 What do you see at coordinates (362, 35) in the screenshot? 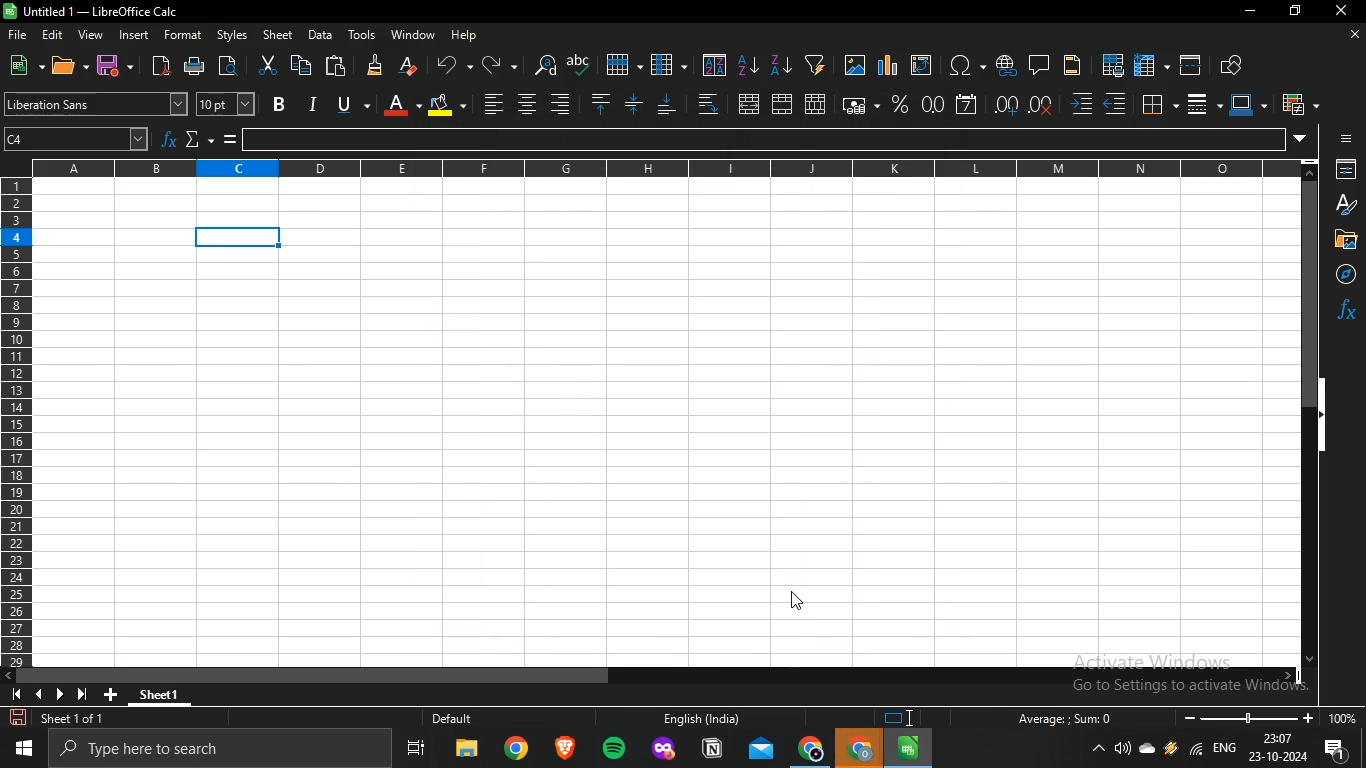
I see `tools` at bounding box center [362, 35].